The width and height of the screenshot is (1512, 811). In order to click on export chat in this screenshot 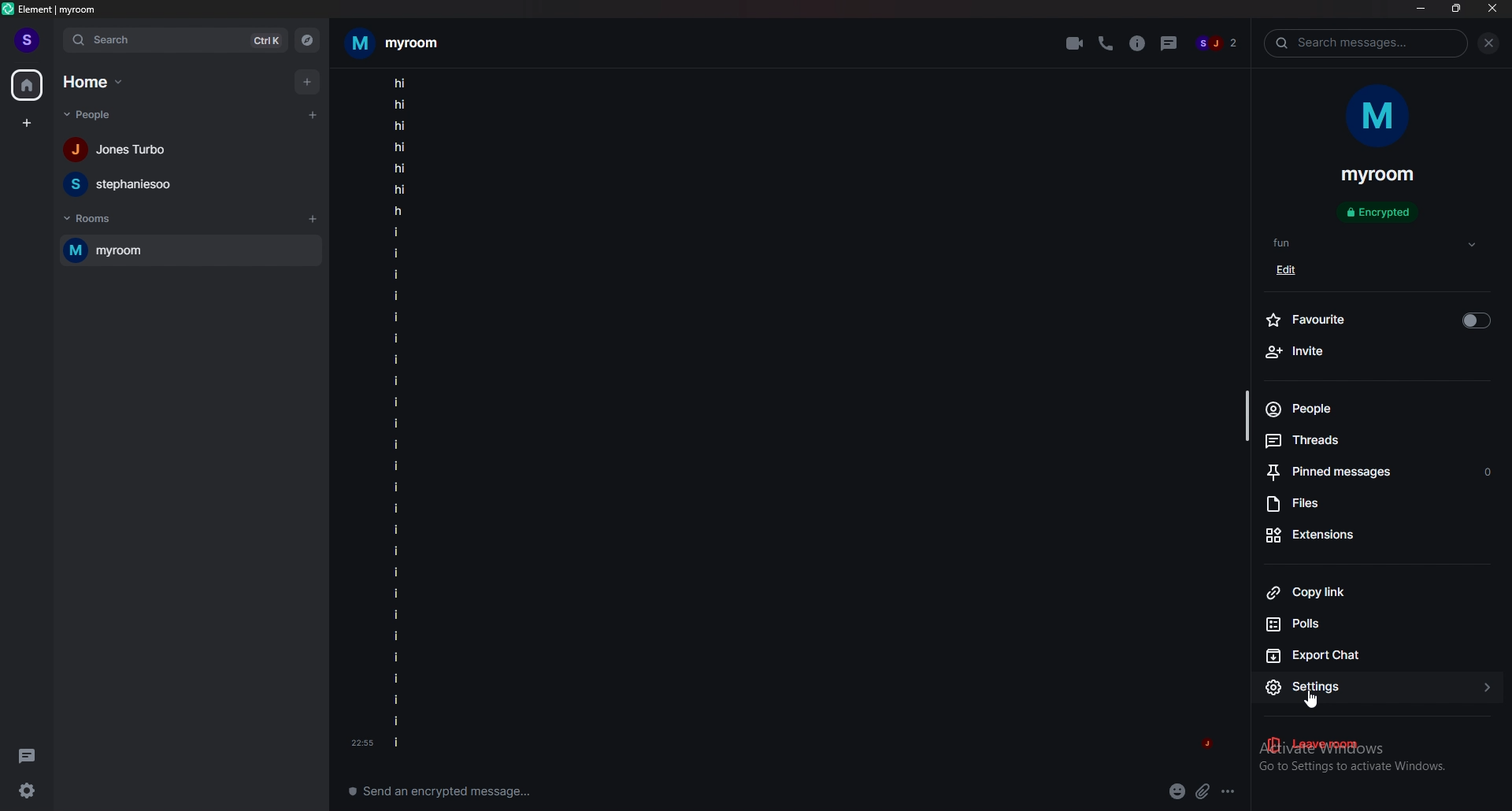, I will do `click(1375, 654)`.